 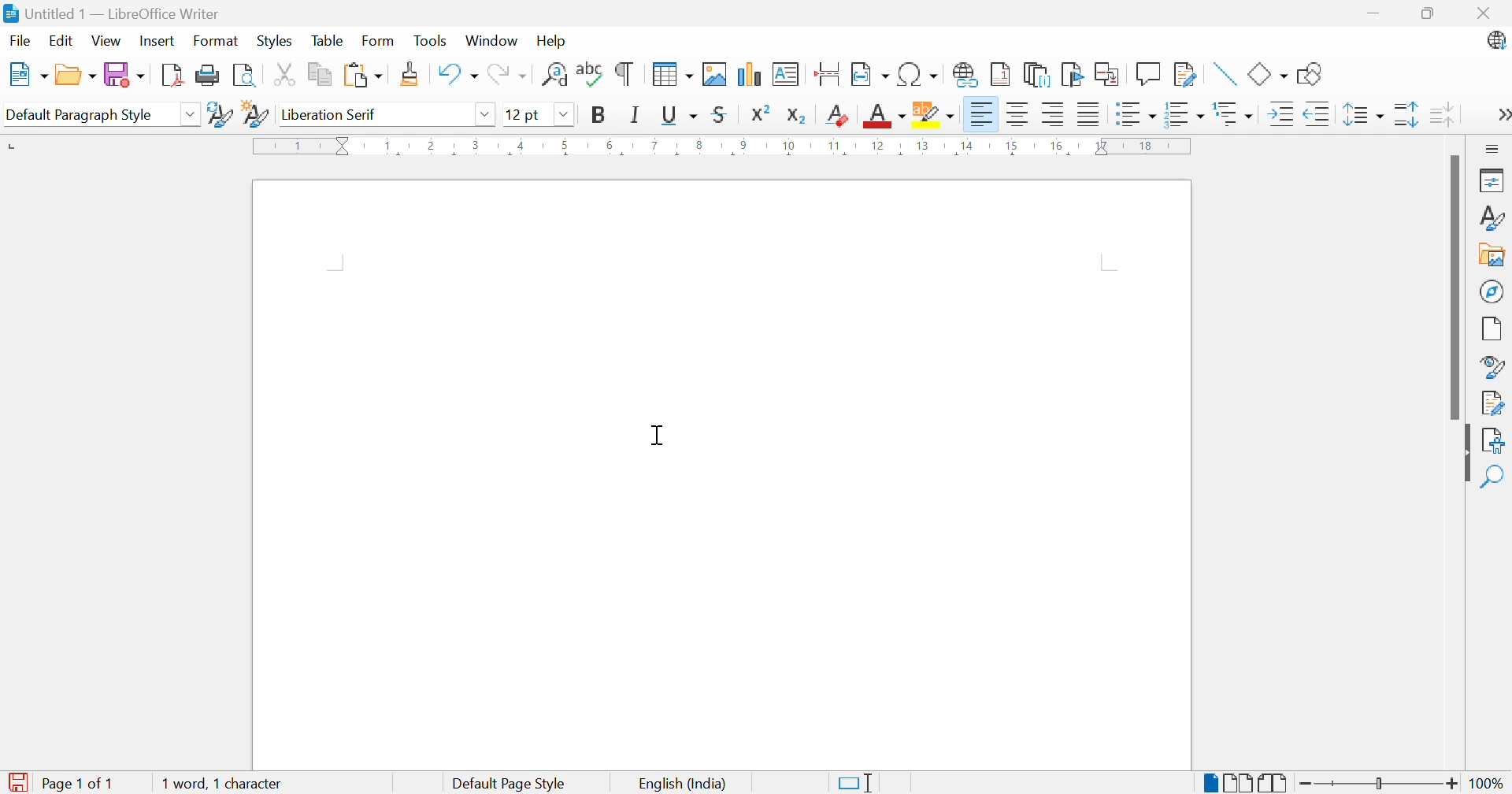 I want to click on Select outline format, so click(x=1234, y=116).